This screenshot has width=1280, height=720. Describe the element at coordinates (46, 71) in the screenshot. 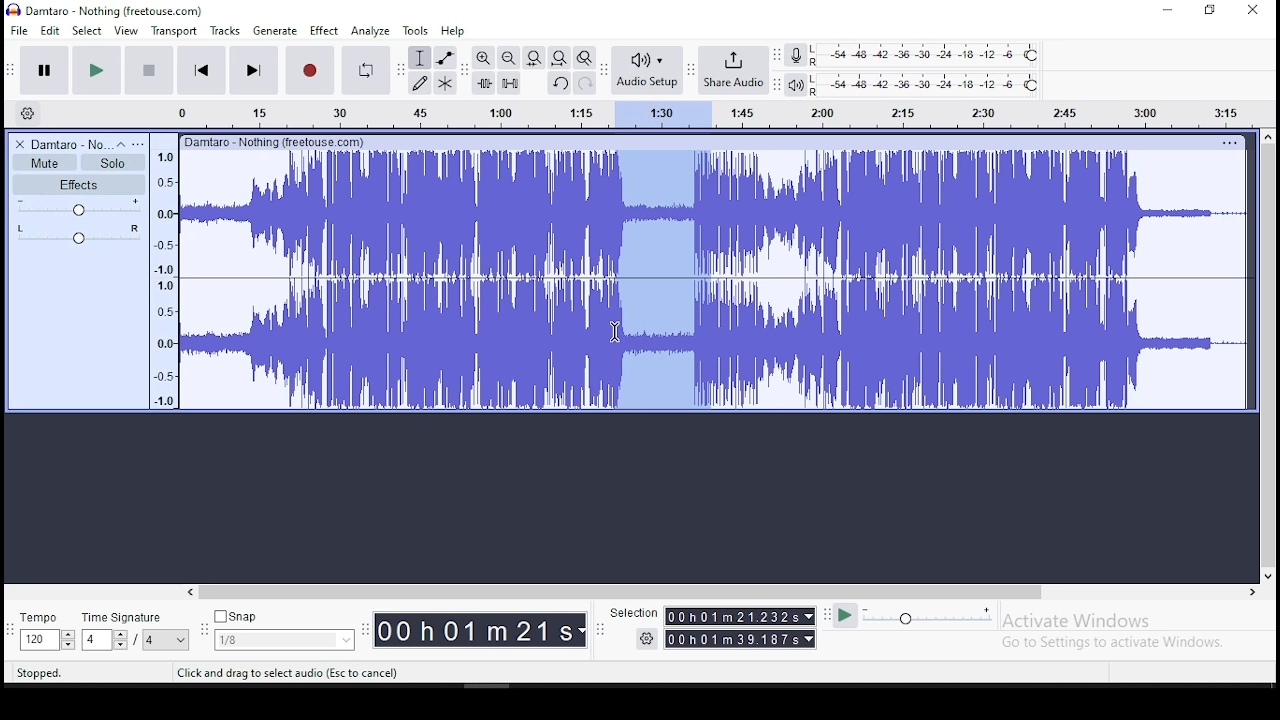

I see `pause` at that location.